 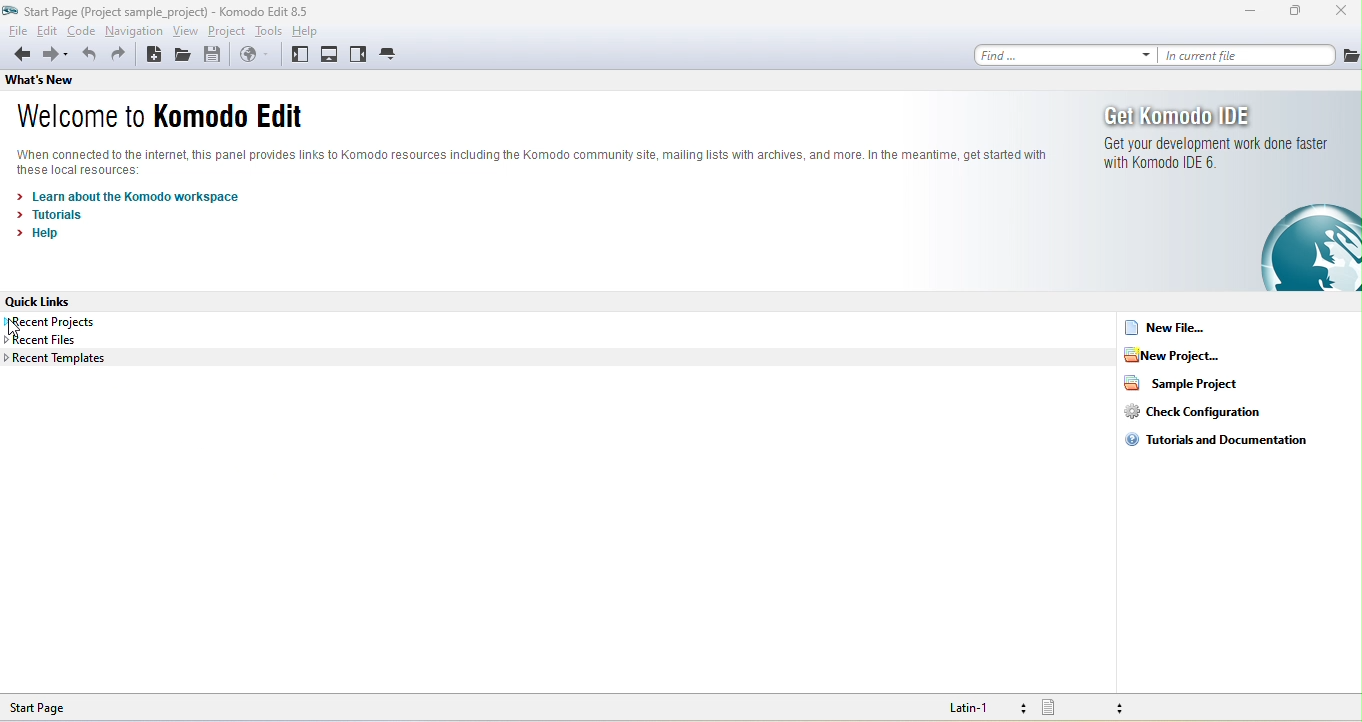 I want to click on navigation, so click(x=139, y=31).